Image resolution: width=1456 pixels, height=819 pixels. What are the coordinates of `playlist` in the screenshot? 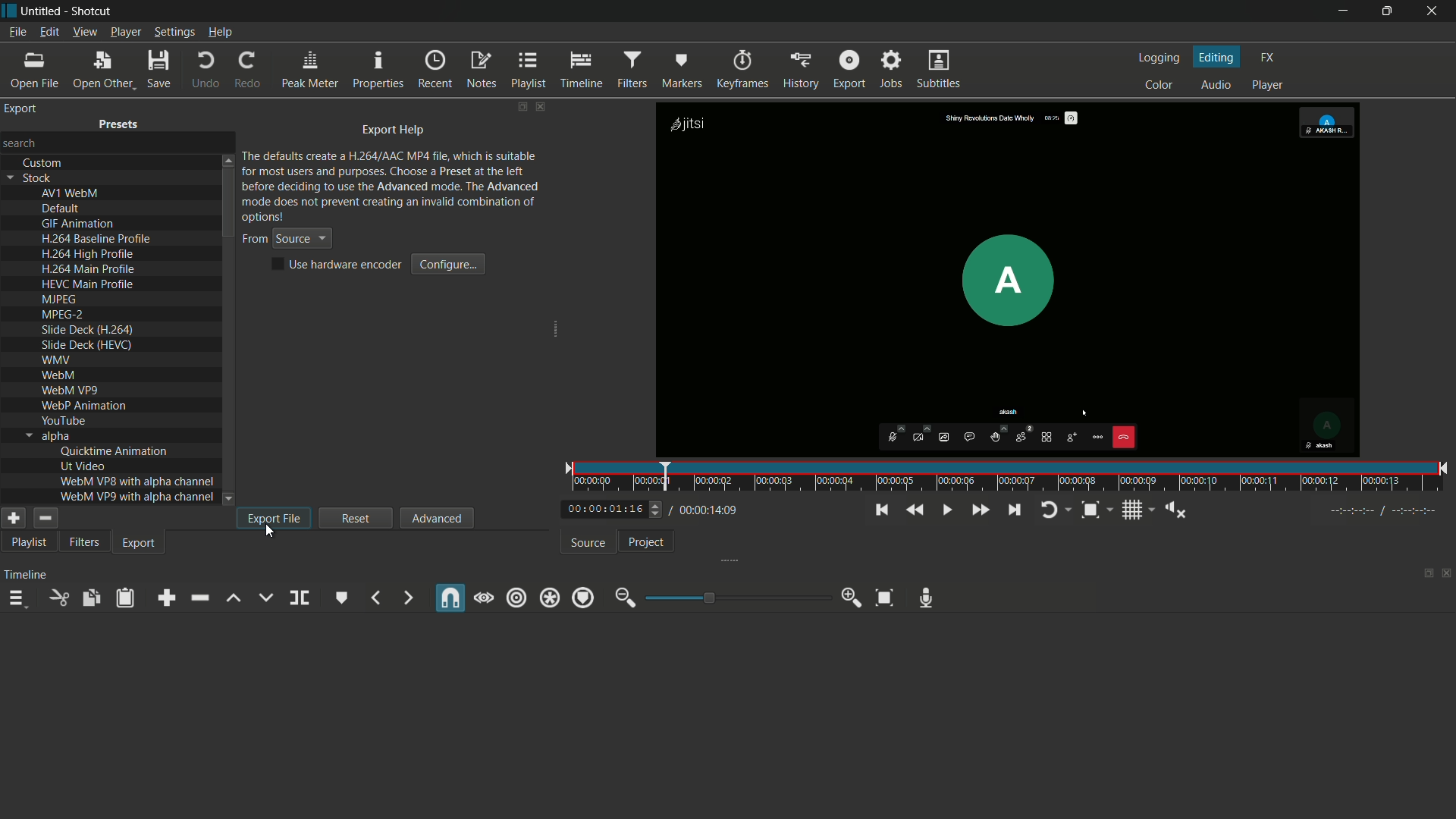 It's located at (527, 71).